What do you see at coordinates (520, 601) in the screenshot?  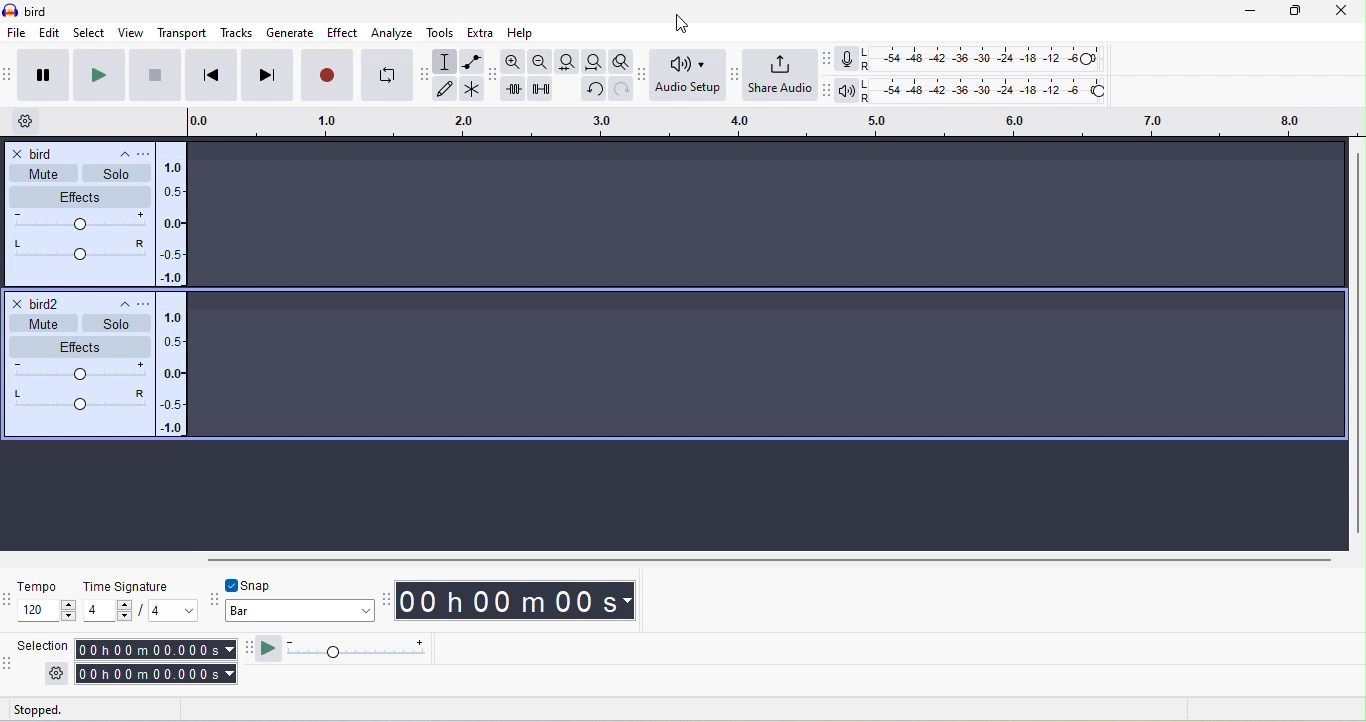 I see `00 h 00 m 00 s` at bounding box center [520, 601].